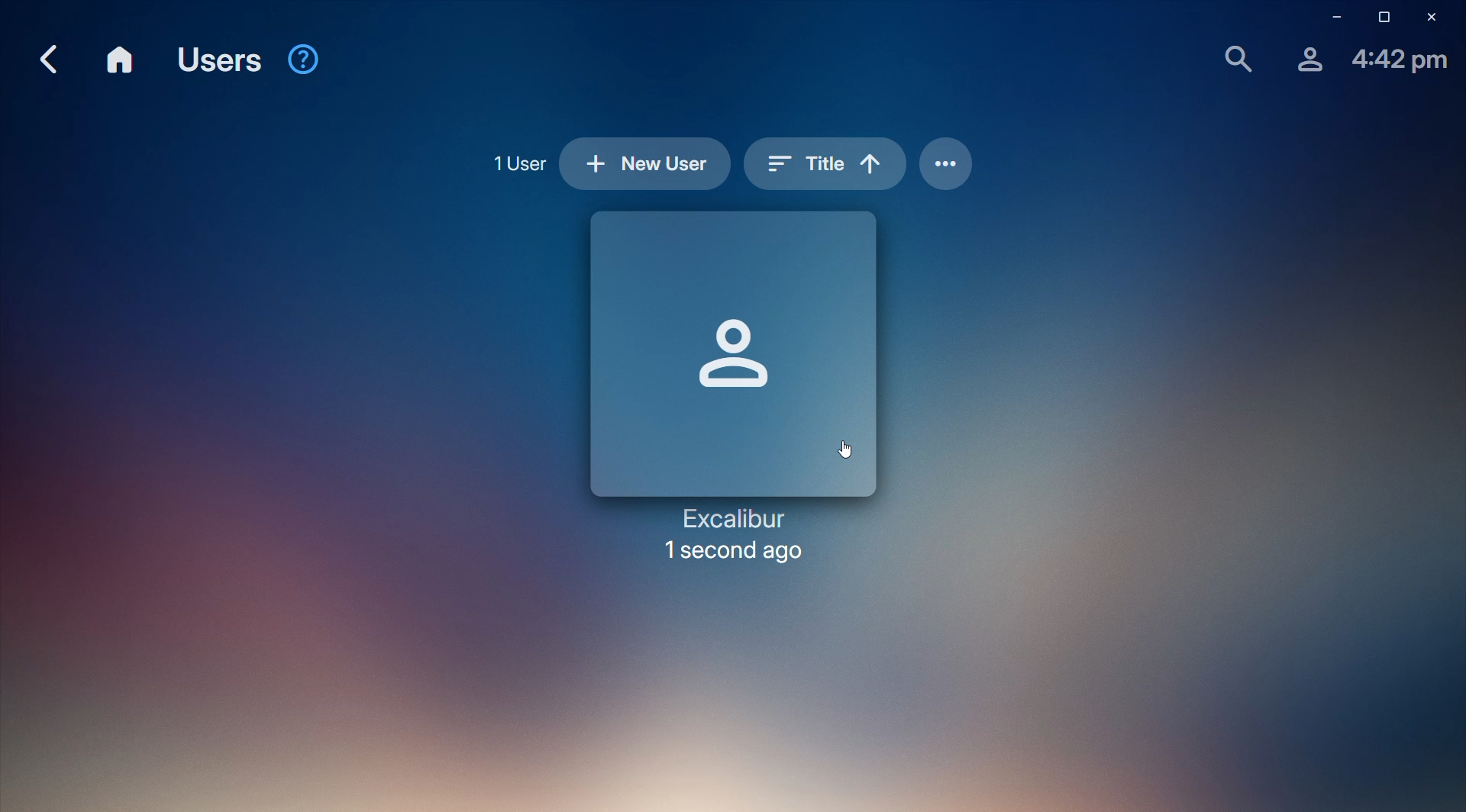 The height and width of the screenshot is (812, 1466). I want to click on Minimize, so click(1331, 19).